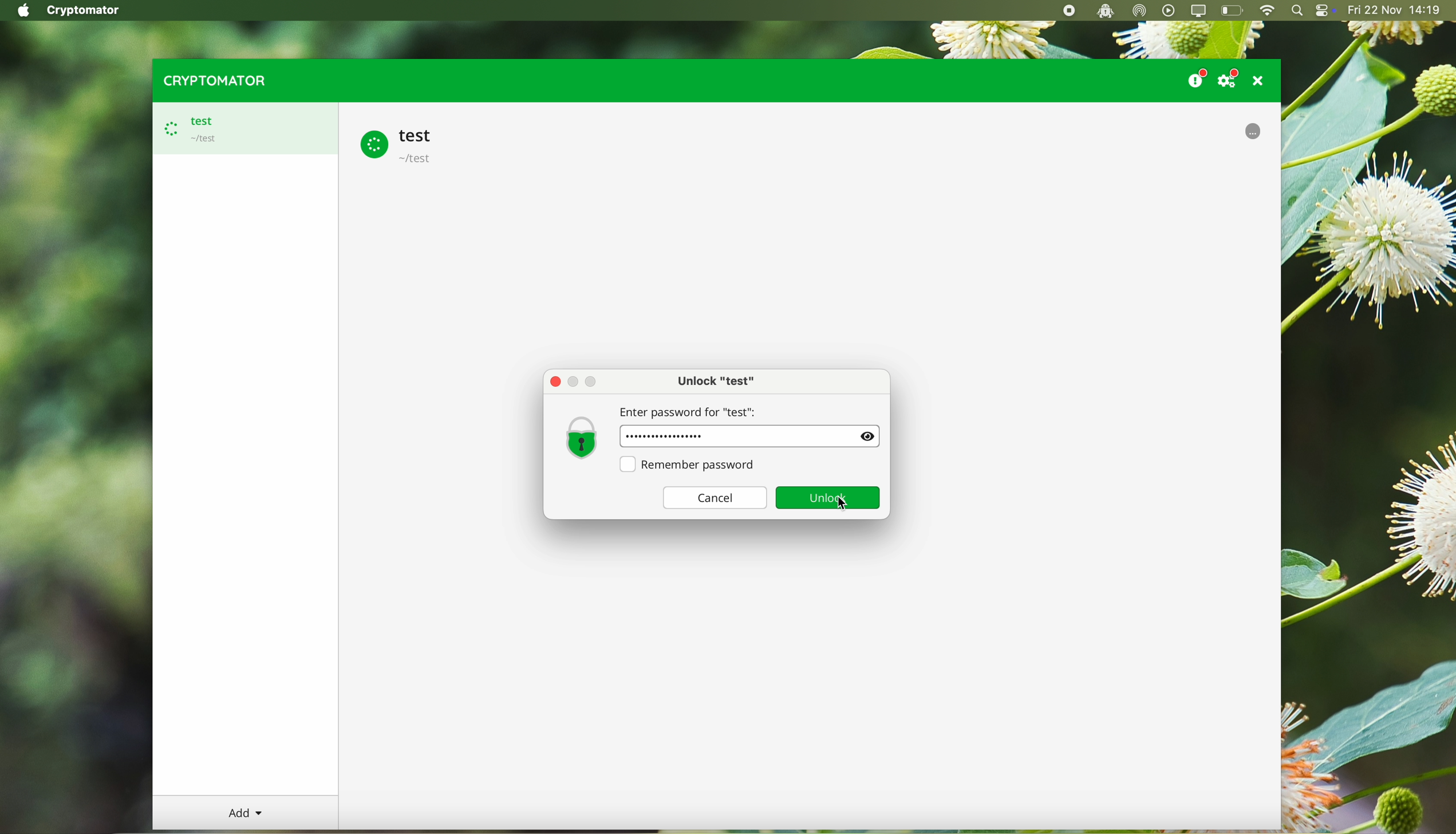 This screenshot has height=834, width=1456. I want to click on test, so click(401, 144).